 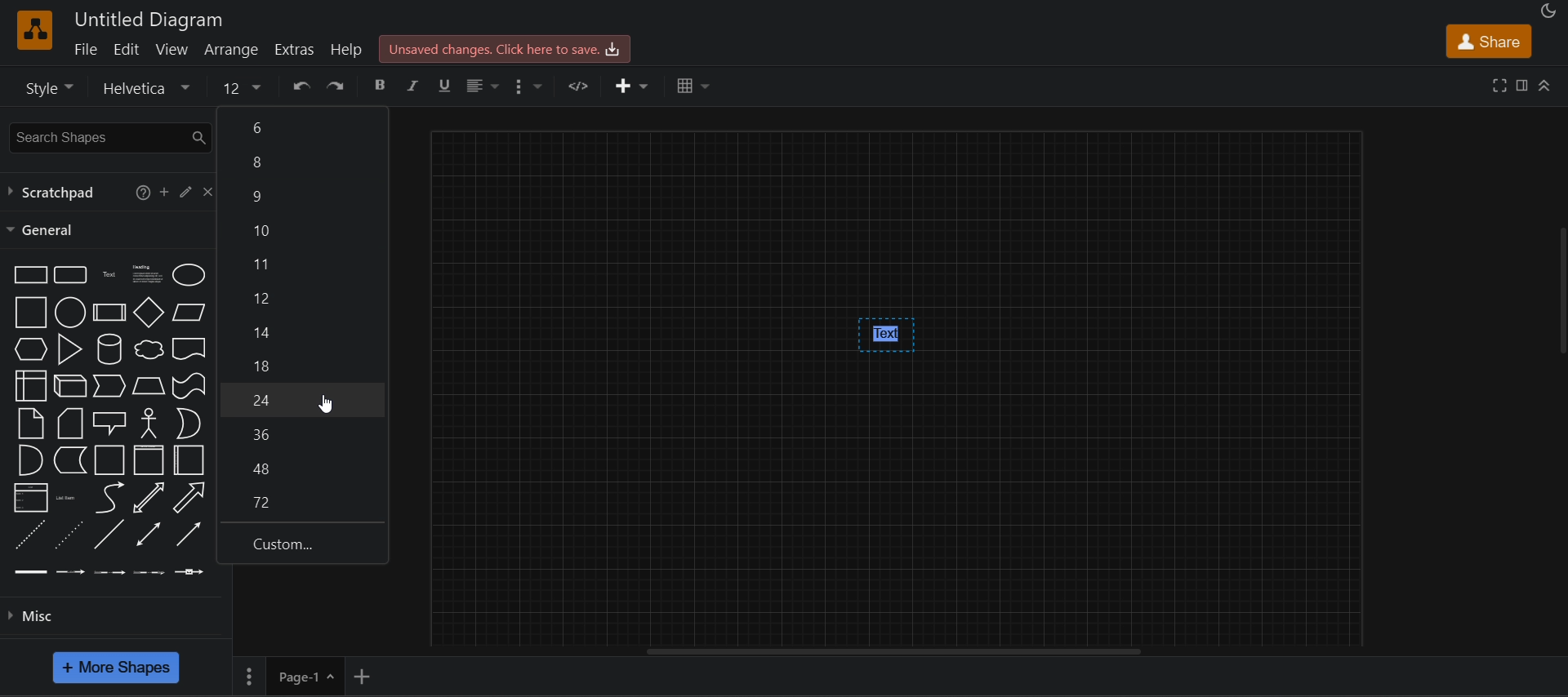 What do you see at coordinates (150, 87) in the screenshot?
I see `font options` at bounding box center [150, 87].